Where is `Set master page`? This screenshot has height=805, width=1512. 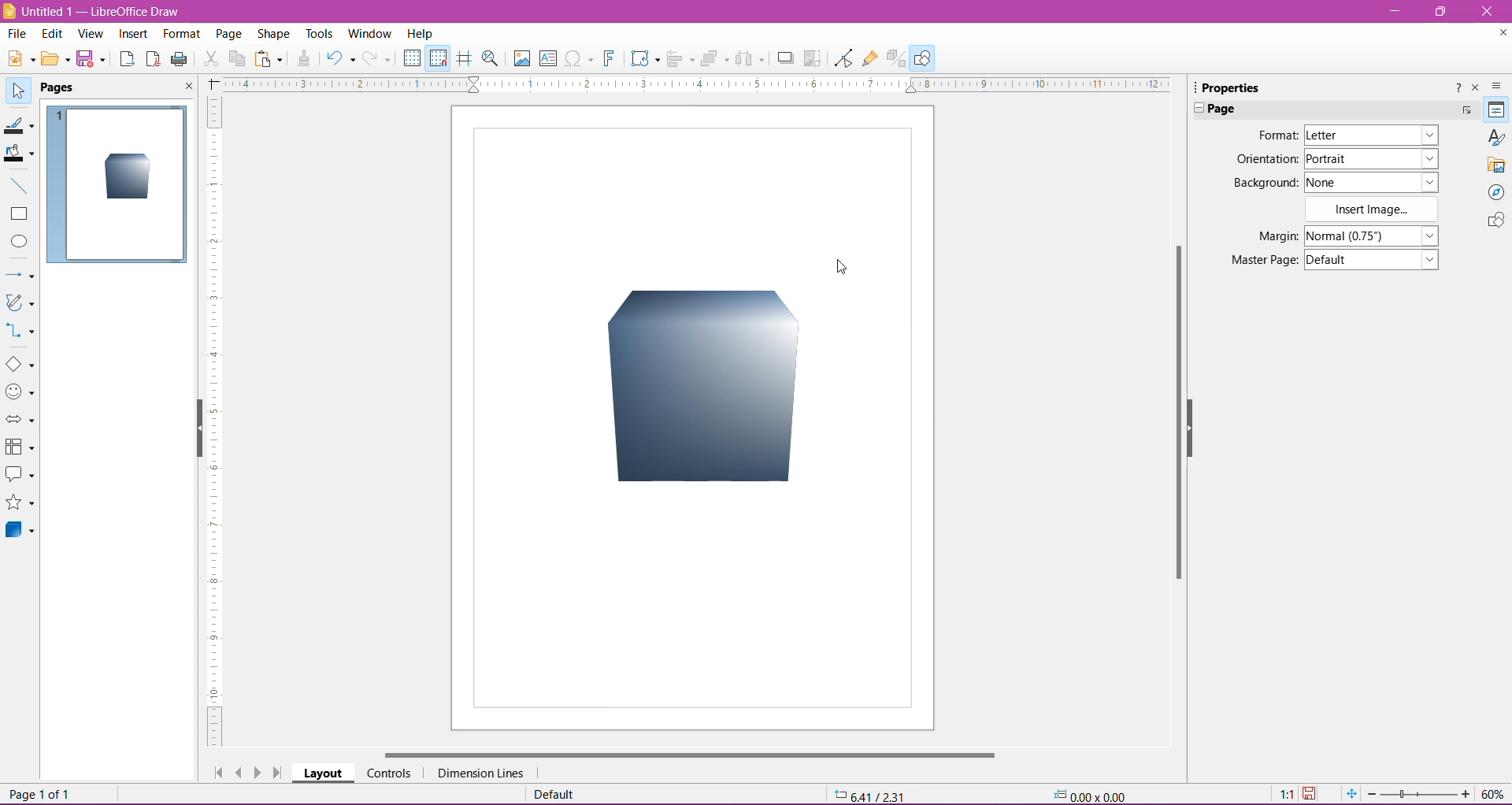 Set master page is located at coordinates (1373, 258).